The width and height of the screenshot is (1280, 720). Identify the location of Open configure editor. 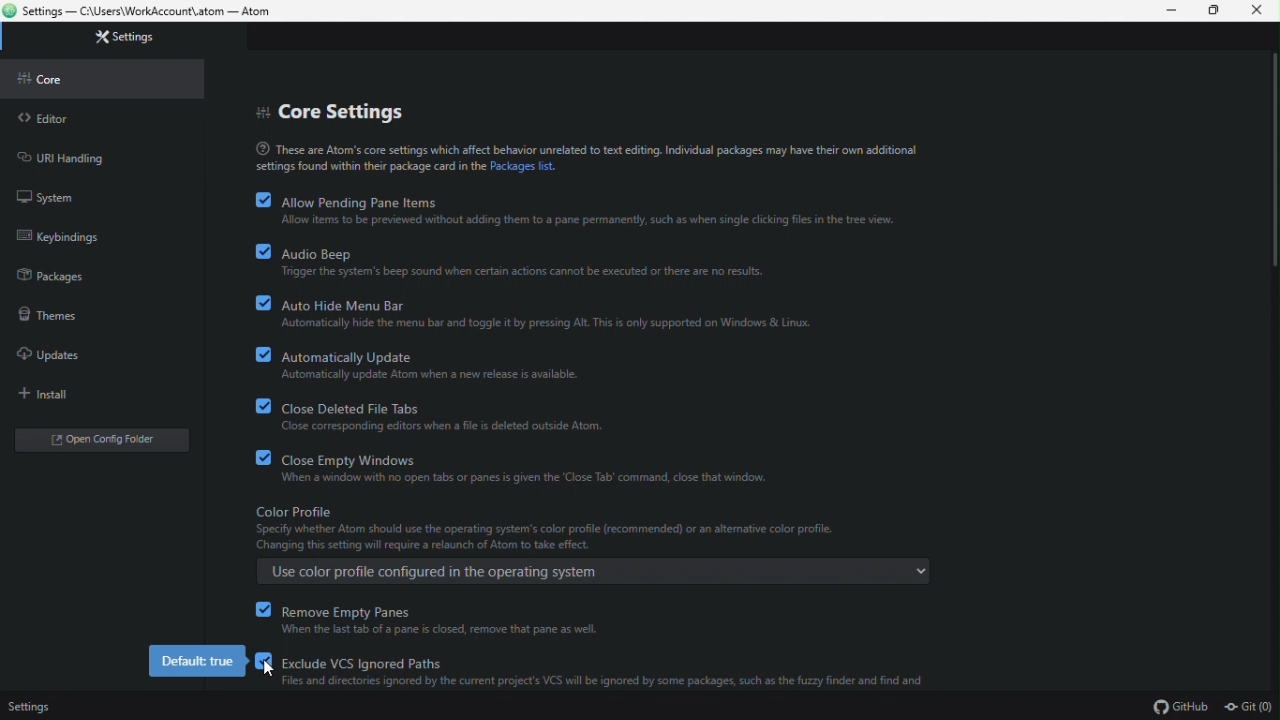
(107, 439).